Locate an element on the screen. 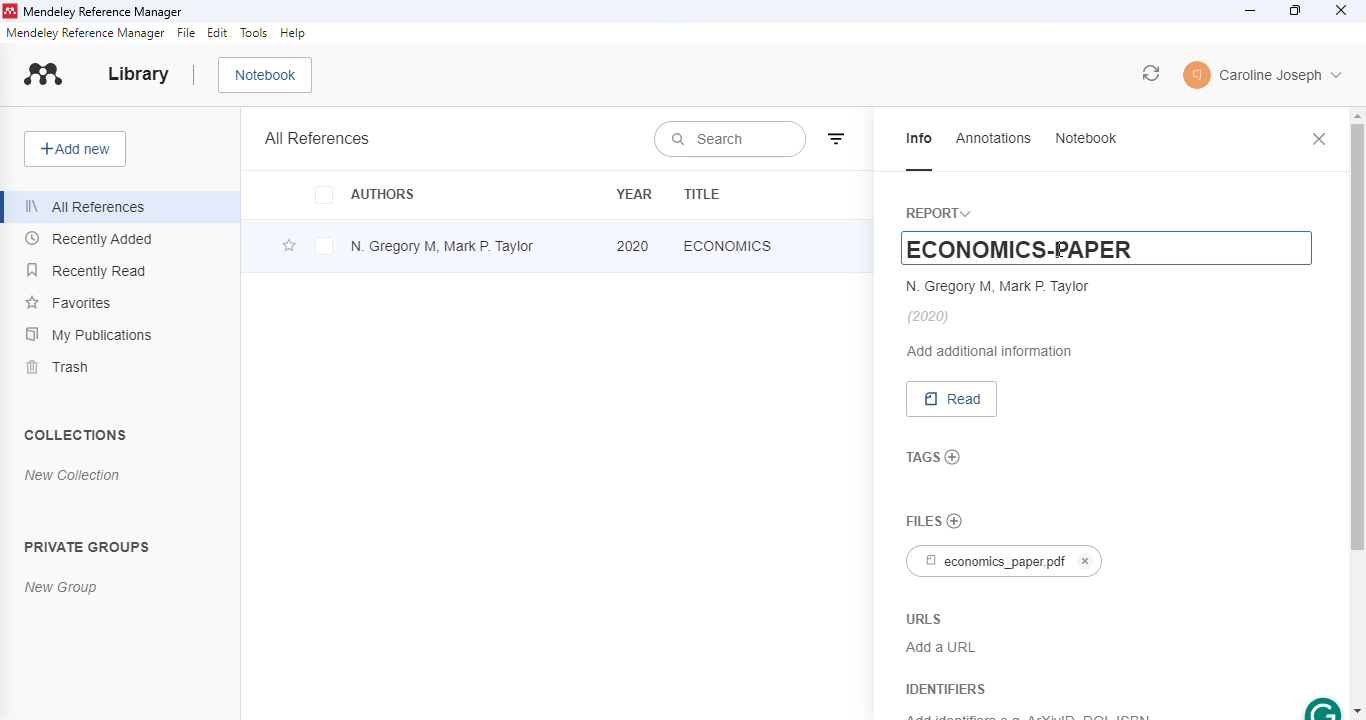  N. Gregory M, Mark P. Taylor is located at coordinates (441, 246).